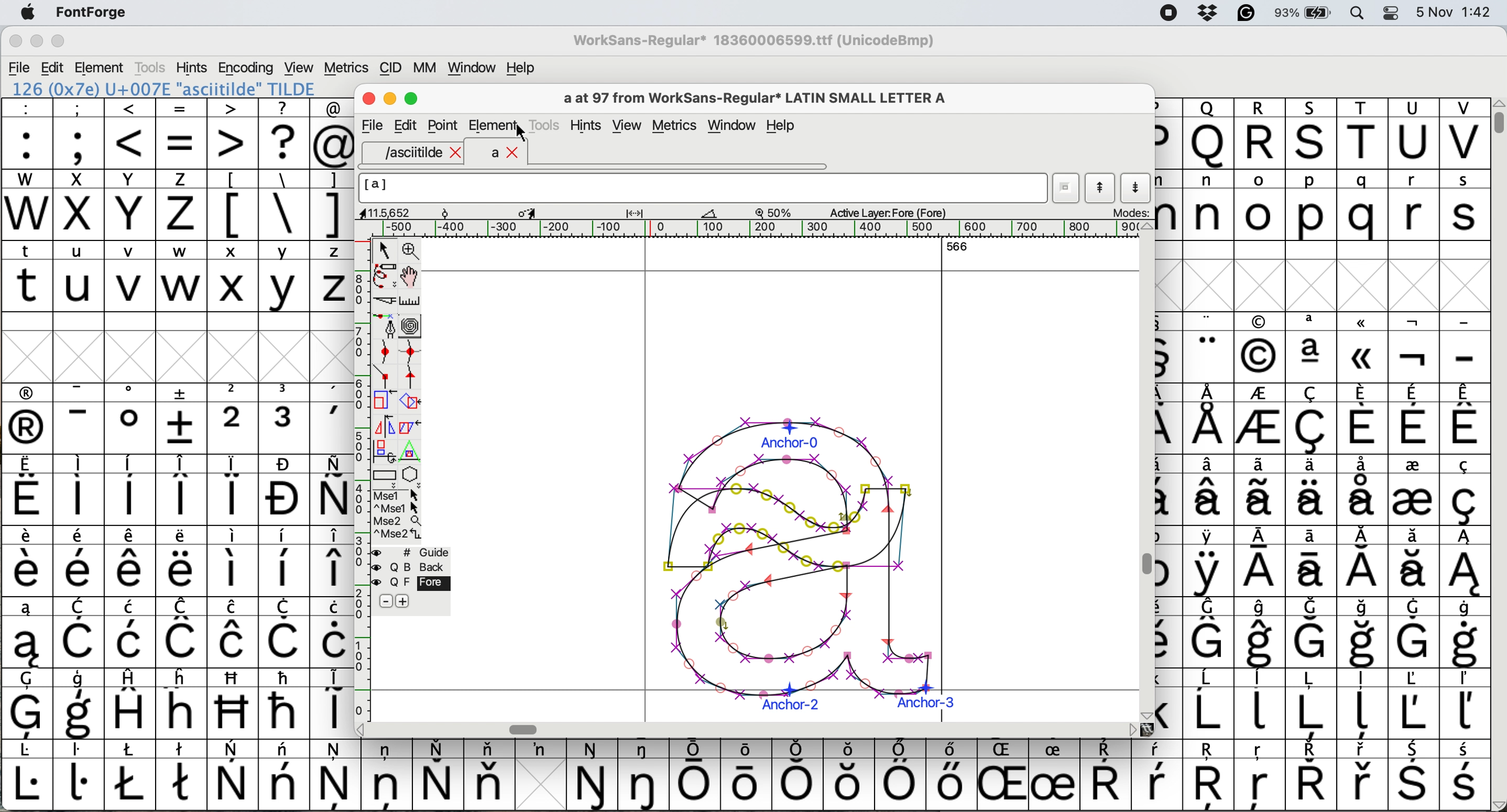  What do you see at coordinates (389, 68) in the screenshot?
I see `cid` at bounding box center [389, 68].